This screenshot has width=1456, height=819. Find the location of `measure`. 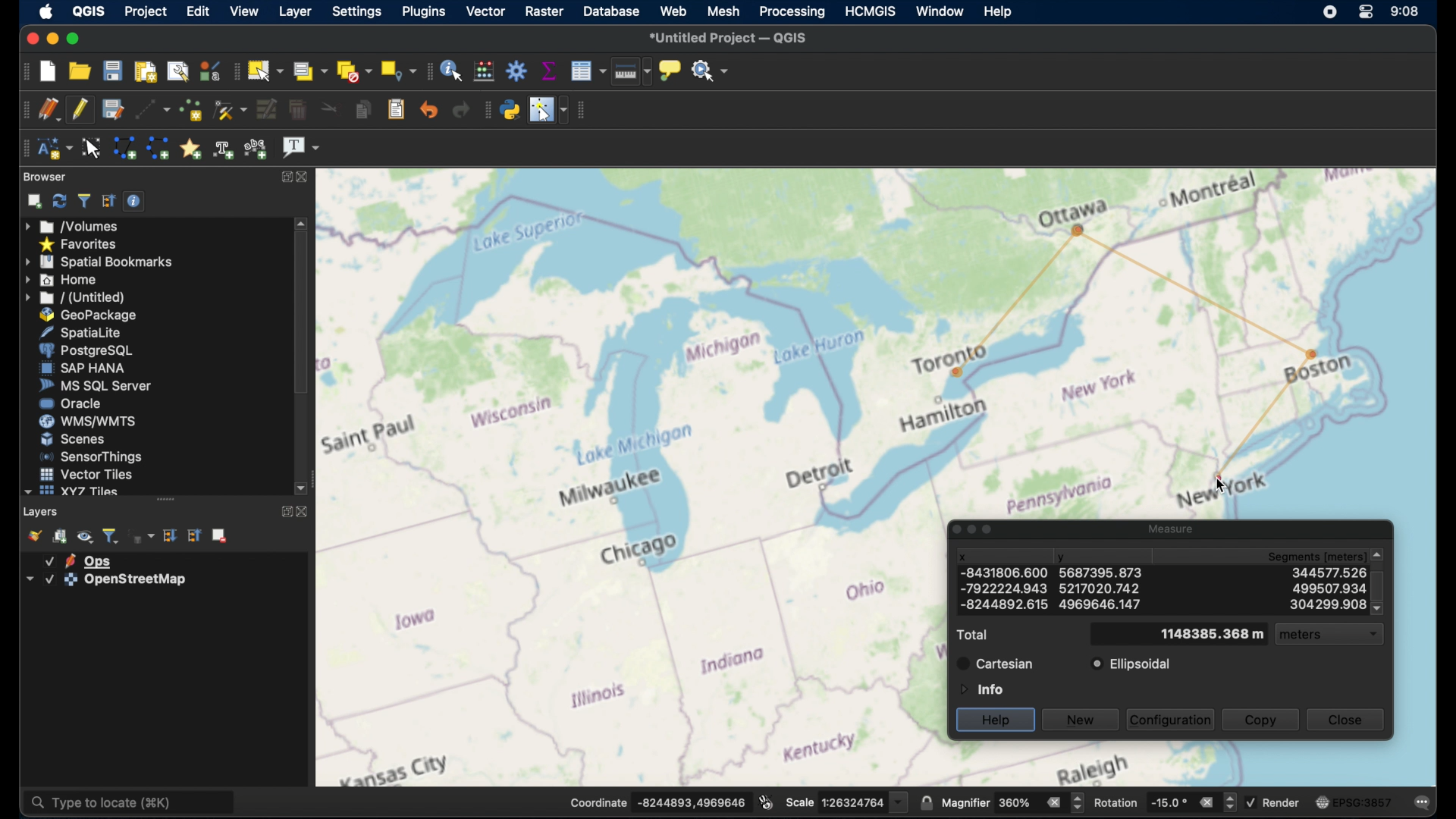

measure is located at coordinates (1168, 527).